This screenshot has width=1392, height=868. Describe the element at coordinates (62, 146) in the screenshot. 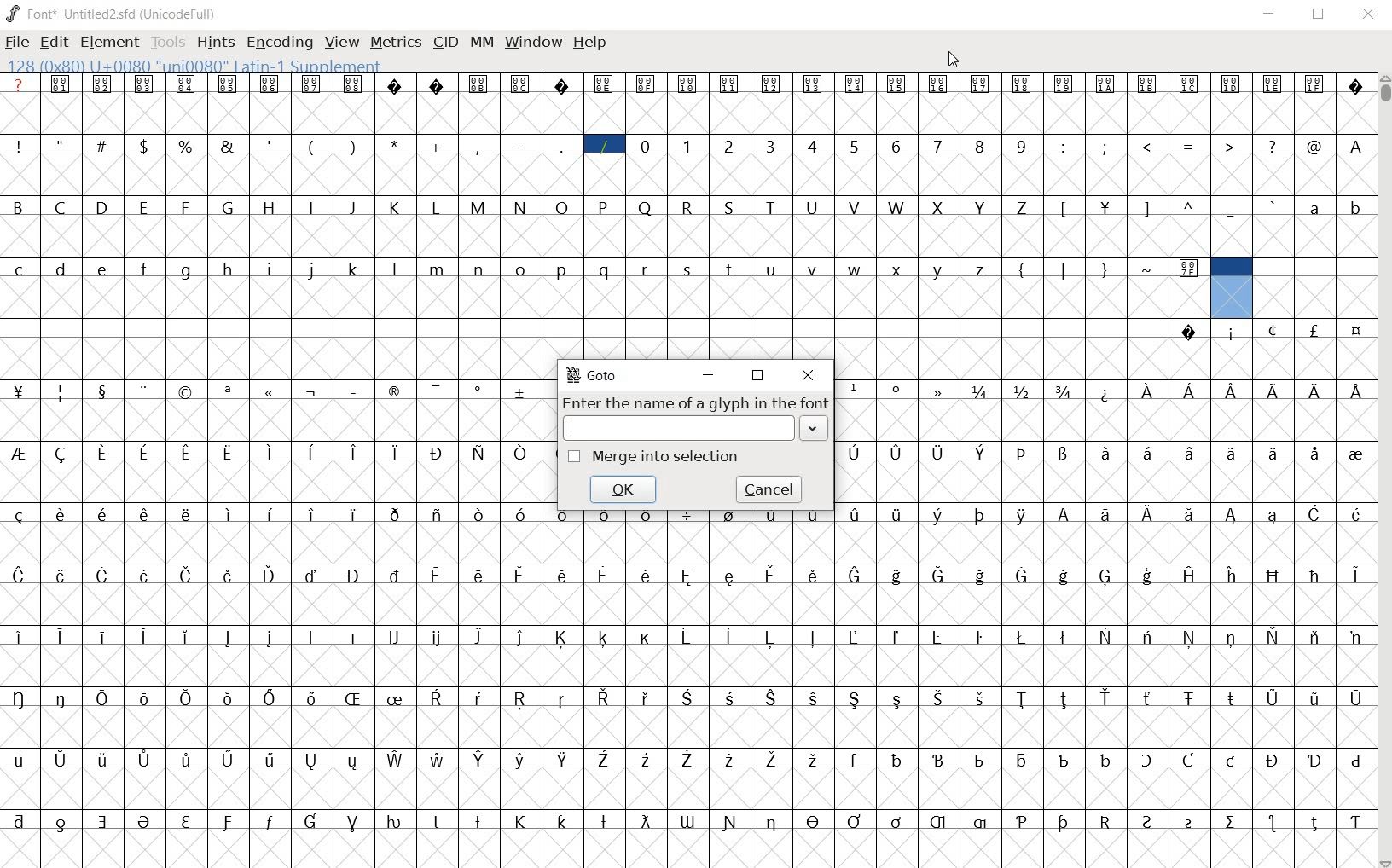

I see `"` at that location.